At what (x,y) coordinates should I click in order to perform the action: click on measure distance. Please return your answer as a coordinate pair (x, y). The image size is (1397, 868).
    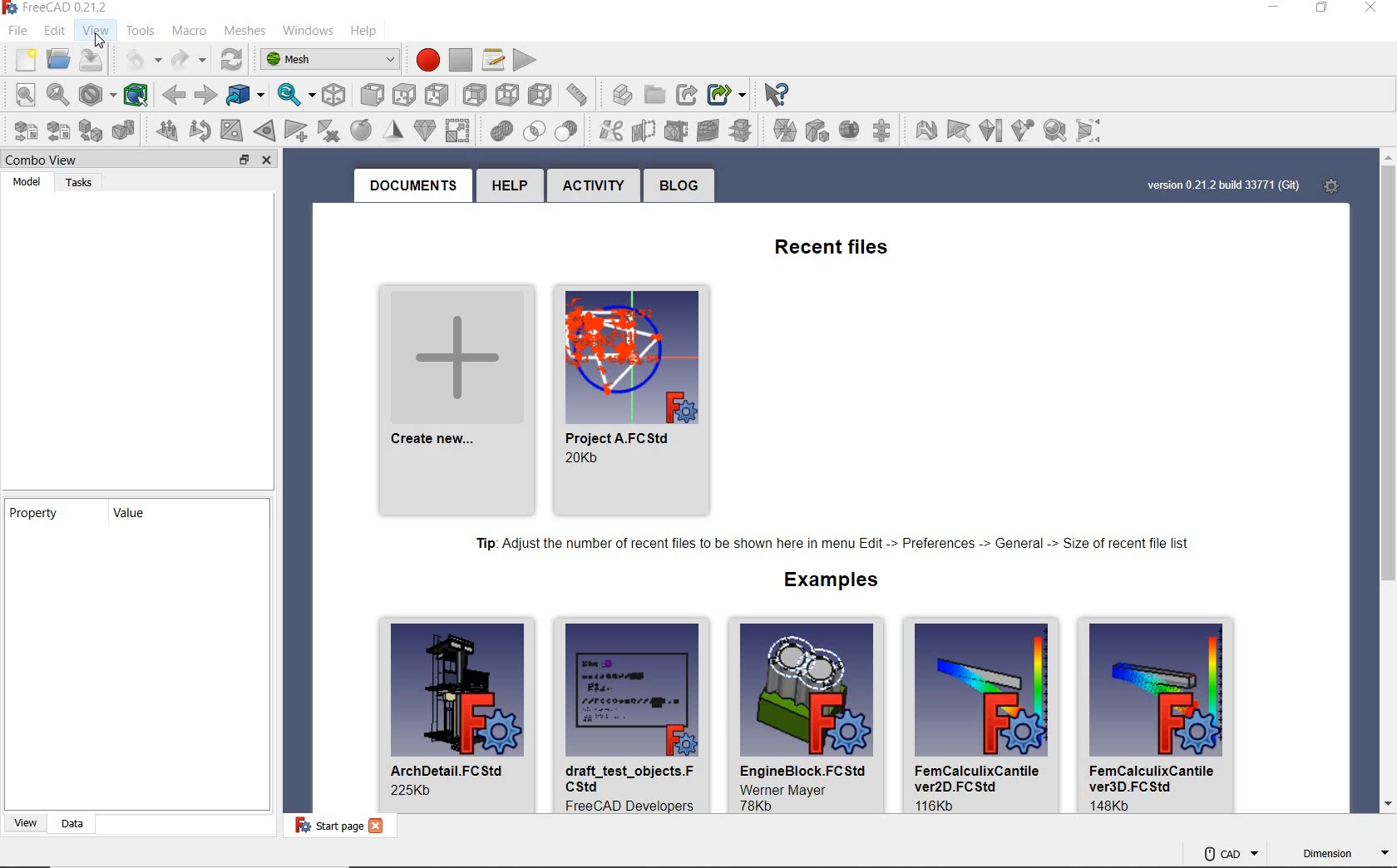
    Looking at the image, I should click on (542, 94).